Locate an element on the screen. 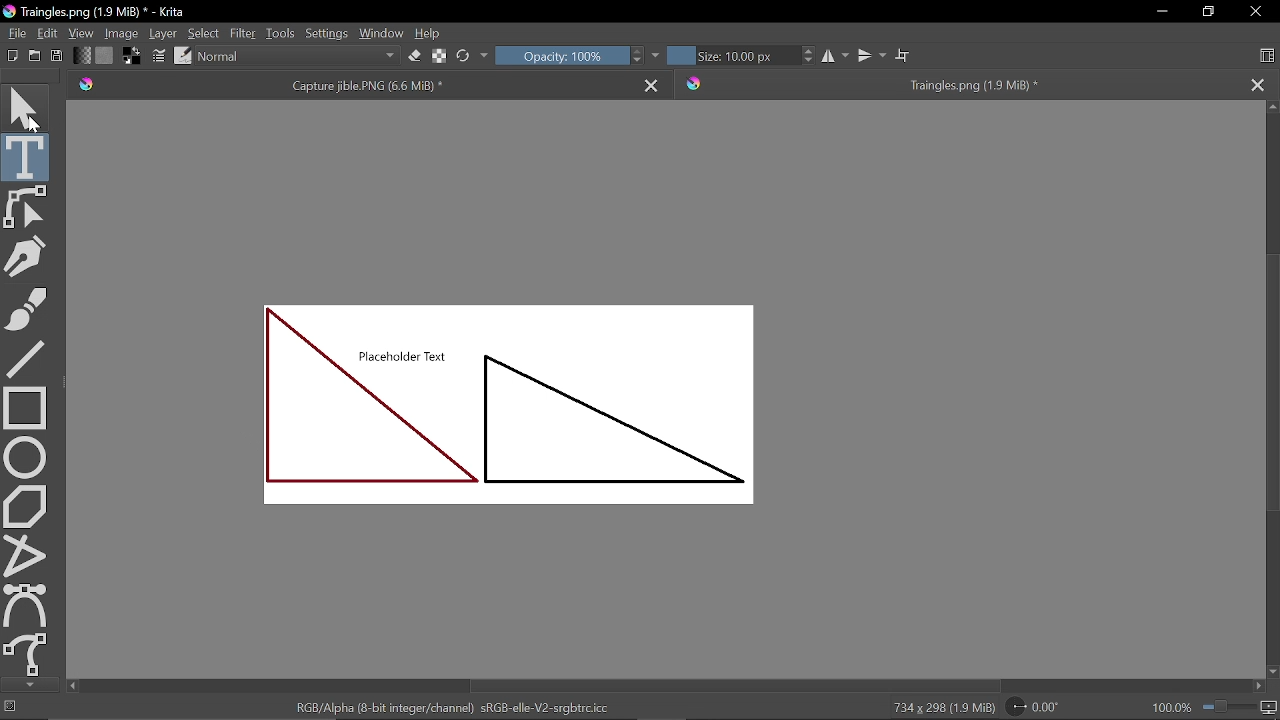 This screenshot has width=1280, height=720. Close is located at coordinates (1255, 13).